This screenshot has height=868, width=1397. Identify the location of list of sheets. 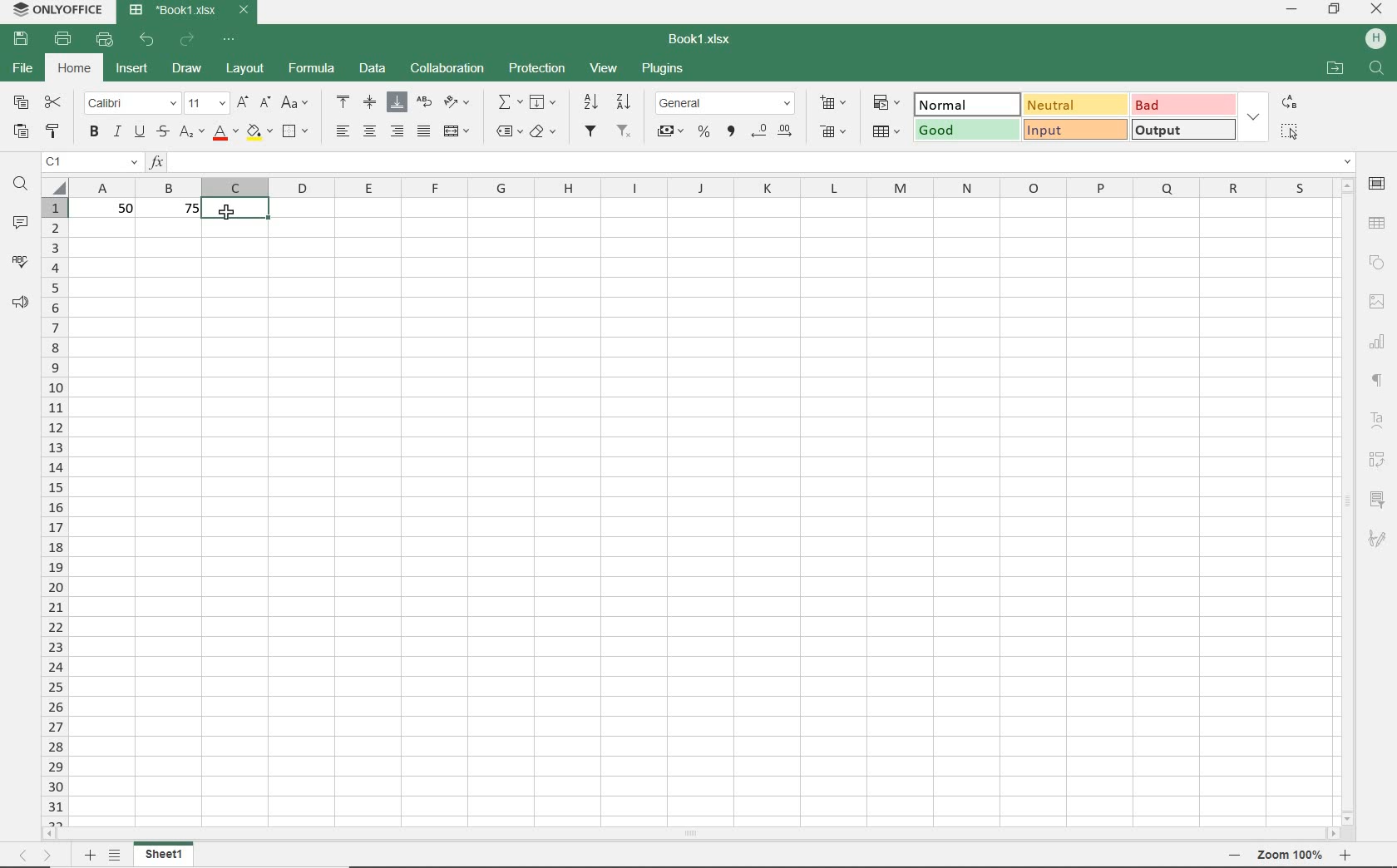
(116, 856).